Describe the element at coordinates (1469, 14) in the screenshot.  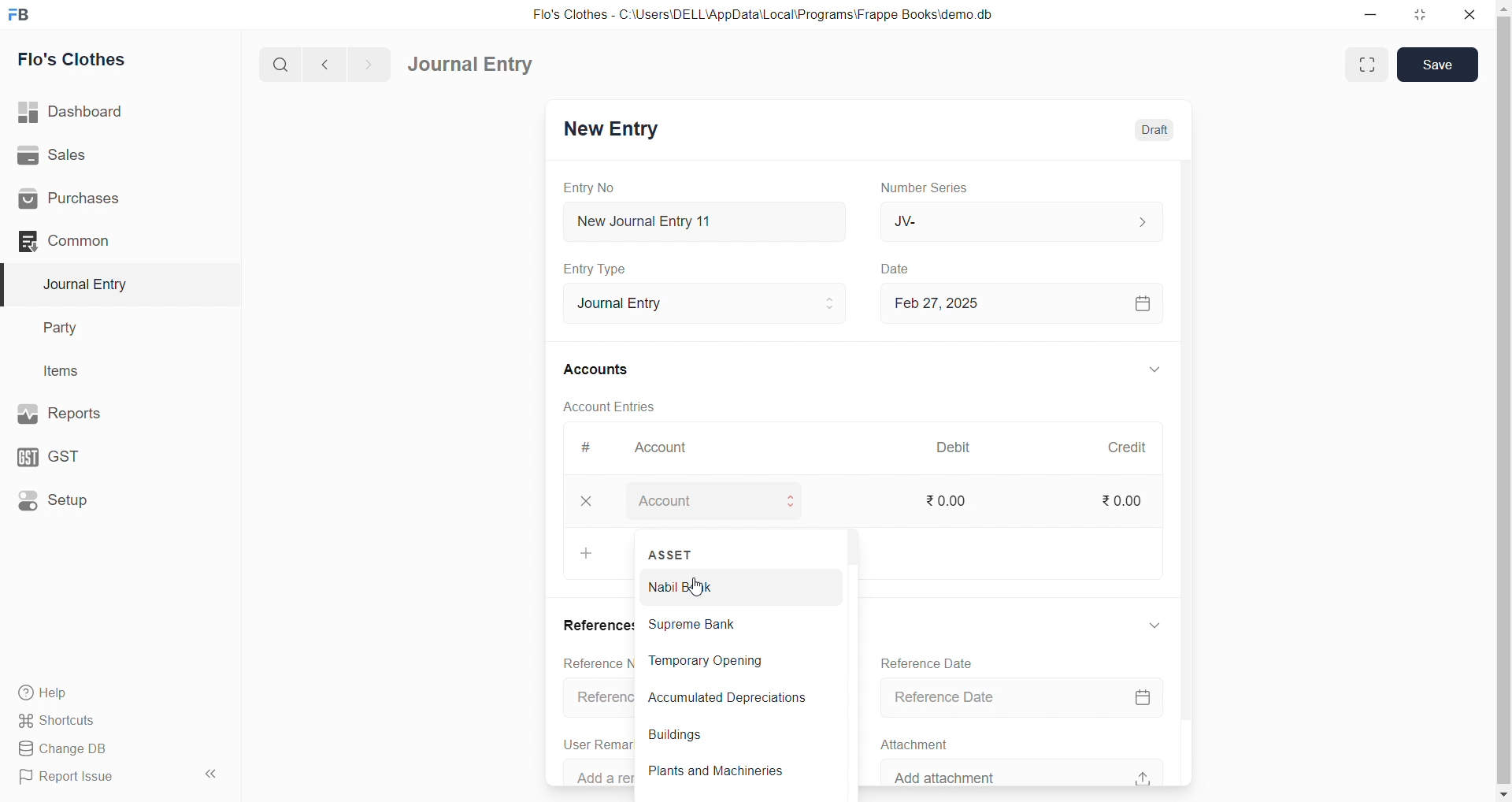
I see `close` at that location.